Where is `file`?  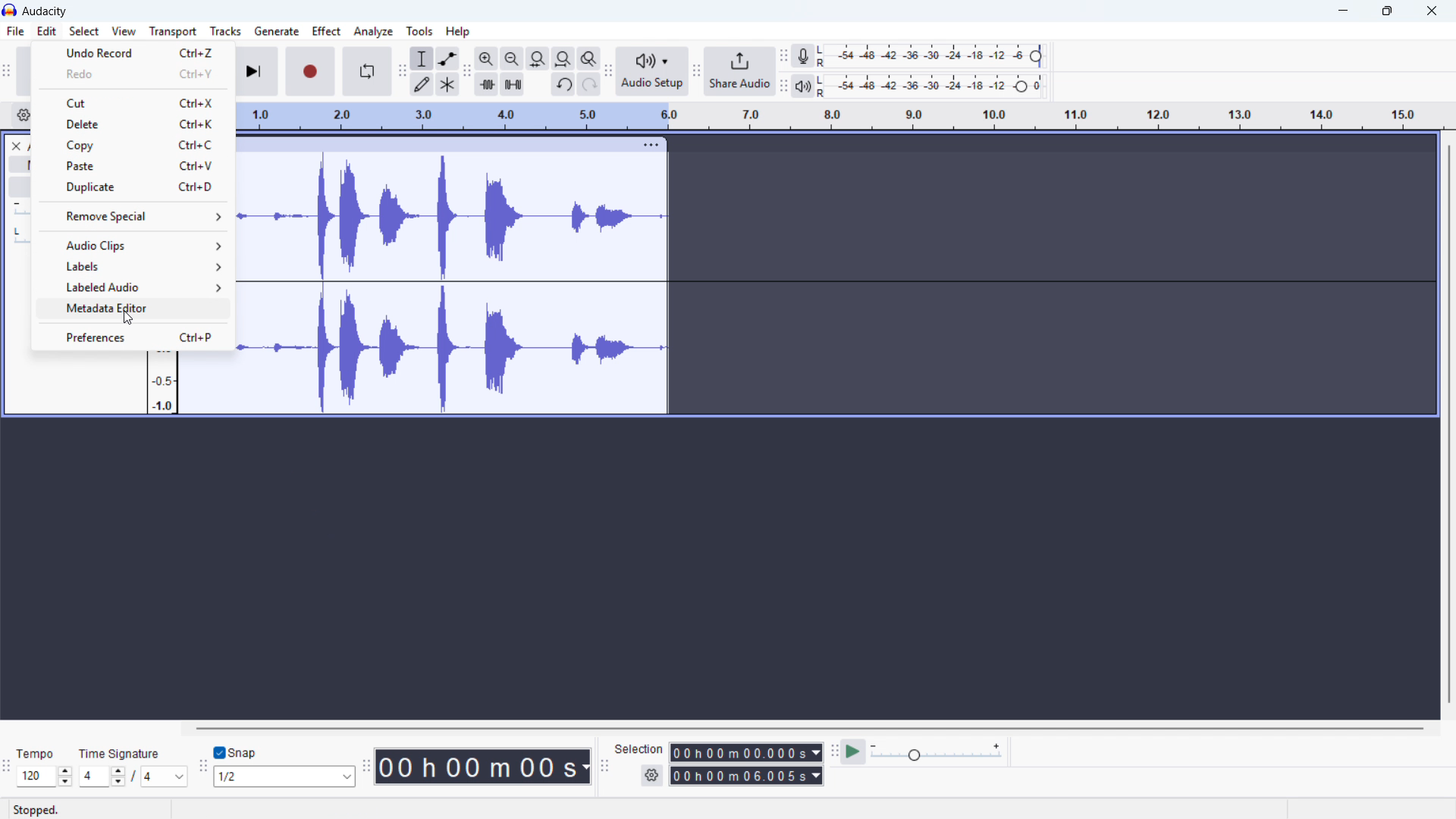
file is located at coordinates (17, 32).